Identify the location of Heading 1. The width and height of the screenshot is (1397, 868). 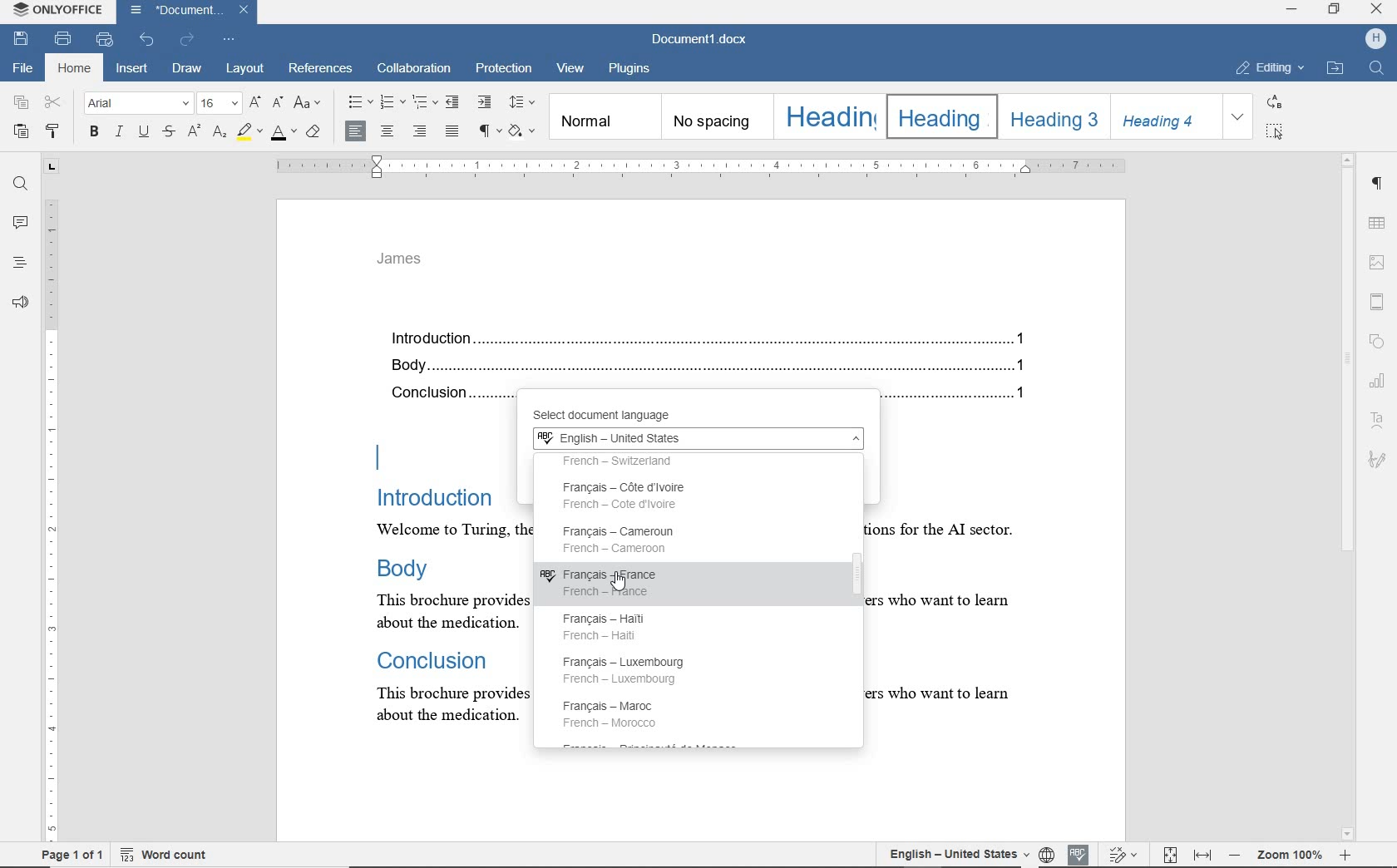
(827, 116).